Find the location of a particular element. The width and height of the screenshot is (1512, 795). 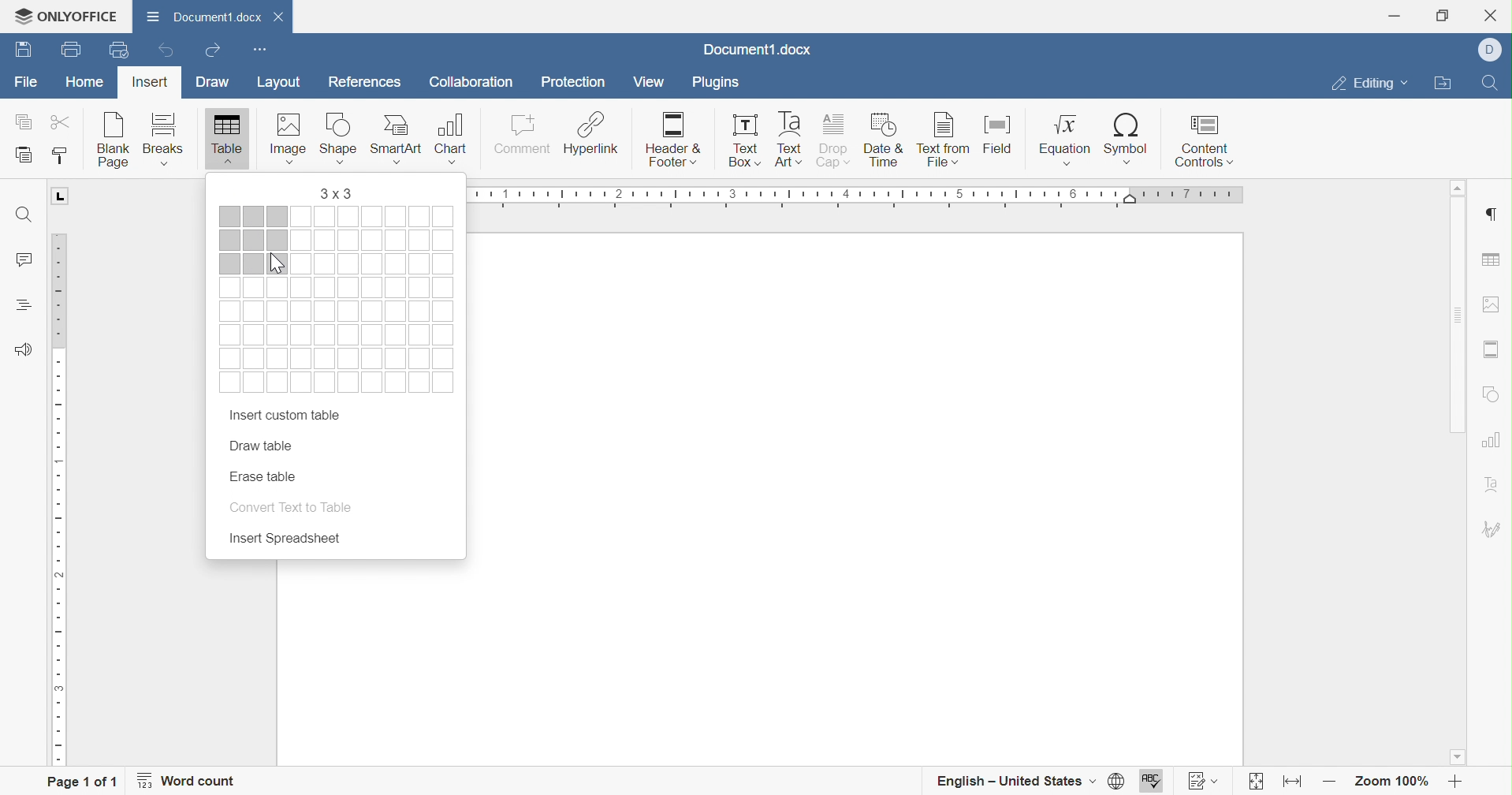

Collaboration is located at coordinates (470, 81).